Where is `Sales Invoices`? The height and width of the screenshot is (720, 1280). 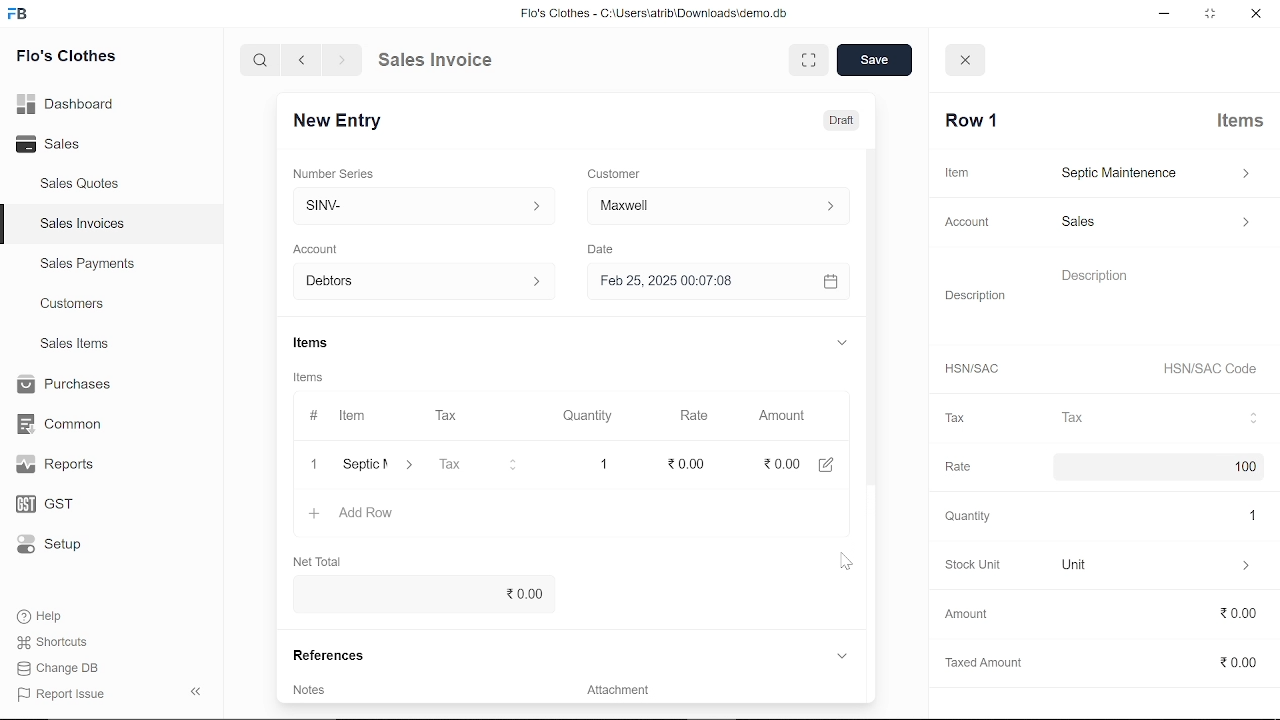 Sales Invoices is located at coordinates (82, 224).